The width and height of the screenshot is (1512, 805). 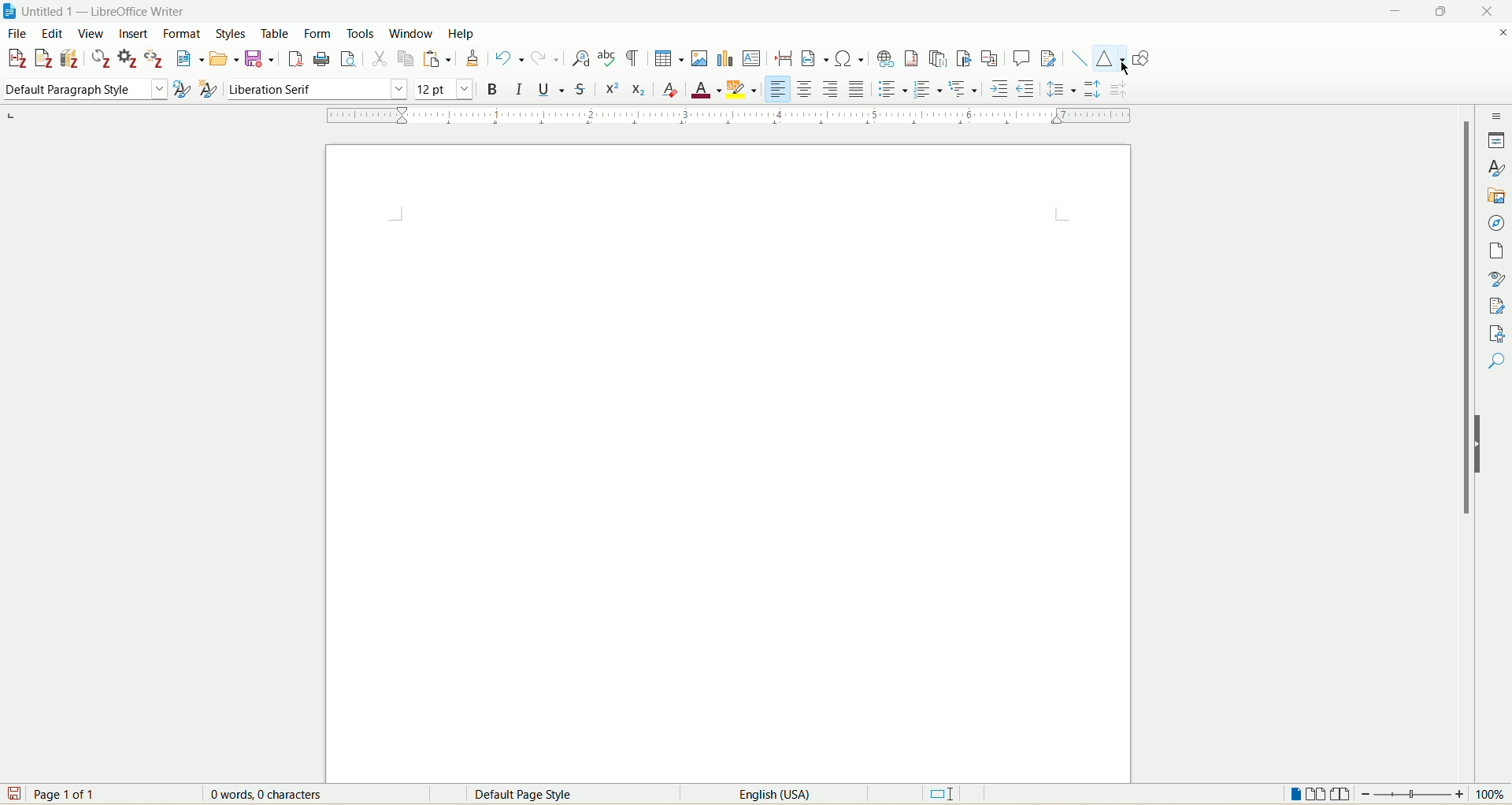 What do you see at coordinates (91, 33) in the screenshot?
I see `view` at bounding box center [91, 33].